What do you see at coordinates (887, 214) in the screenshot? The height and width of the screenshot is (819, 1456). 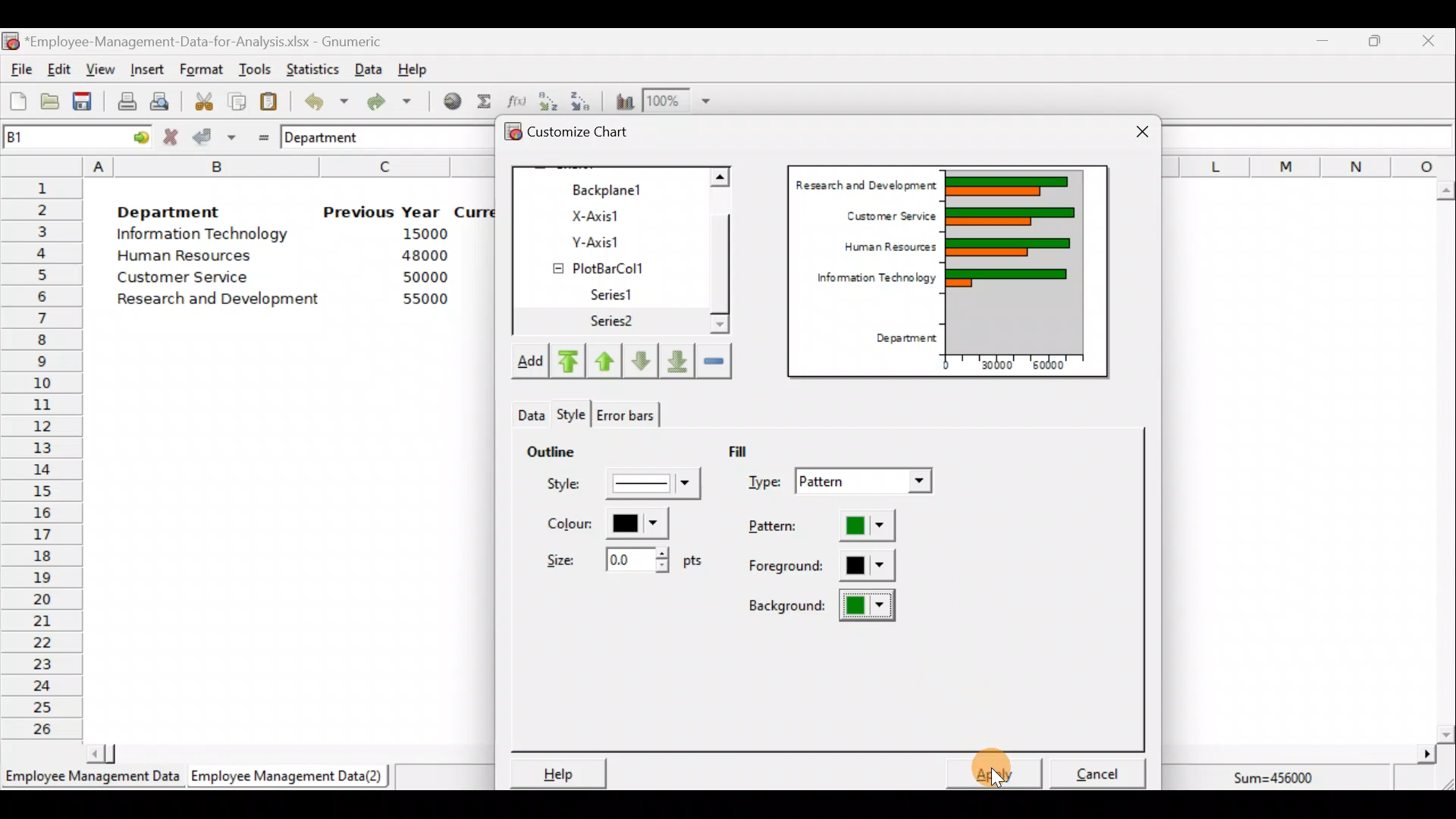 I see `Customer Service` at bounding box center [887, 214].